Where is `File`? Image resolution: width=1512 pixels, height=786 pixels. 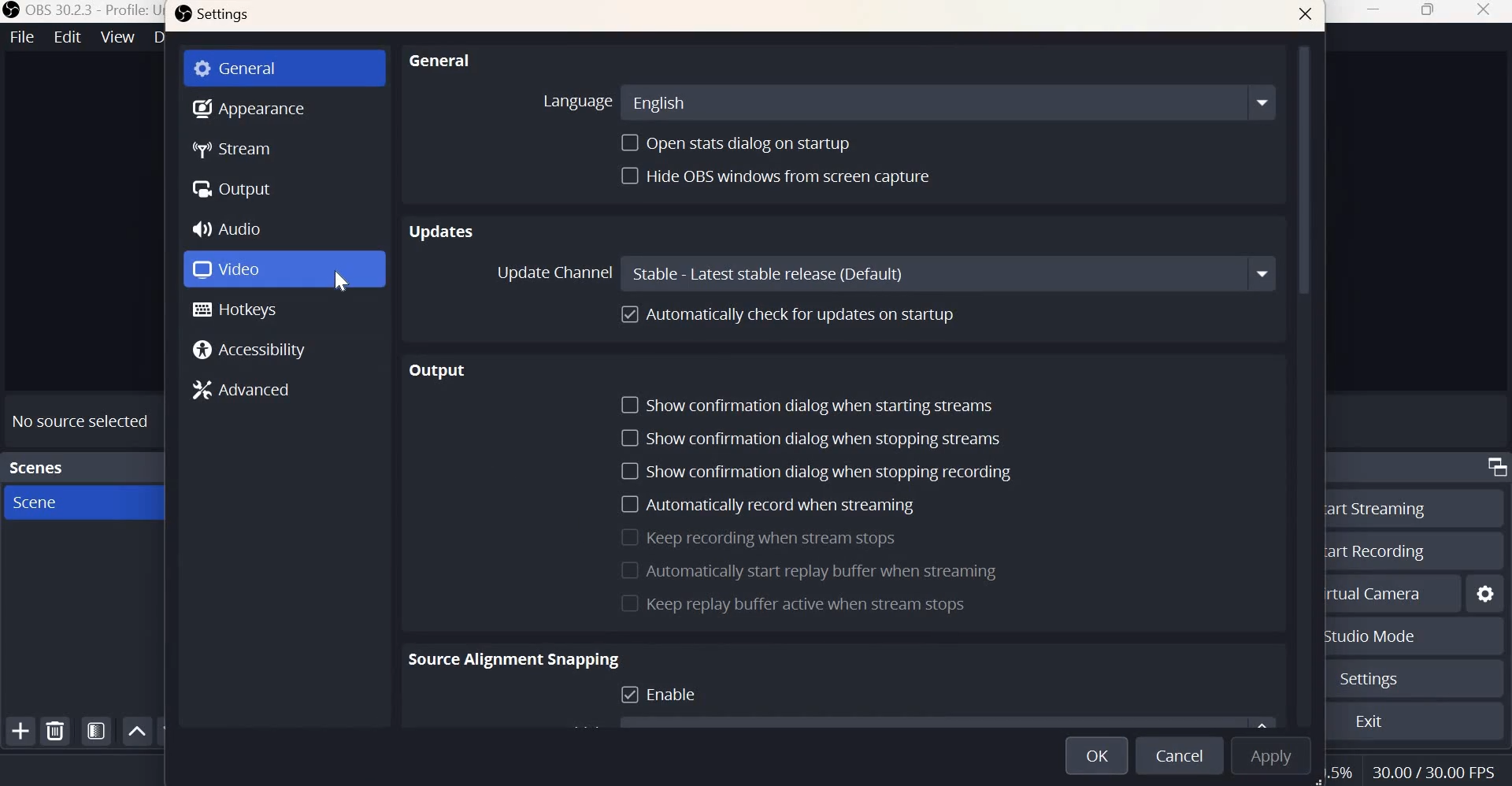
File is located at coordinates (20, 37).